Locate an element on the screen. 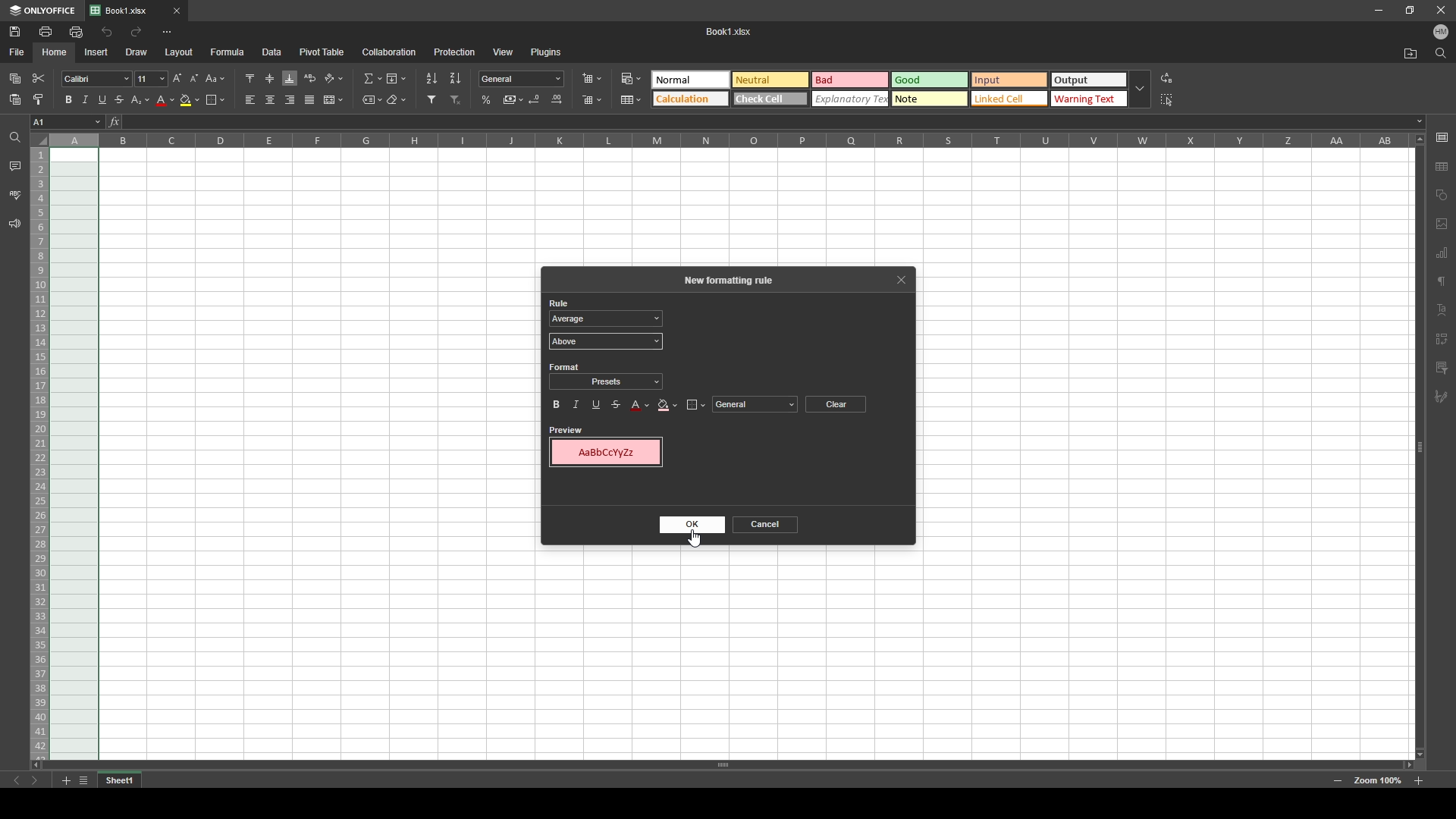  paste is located at coordinates (15, 100).